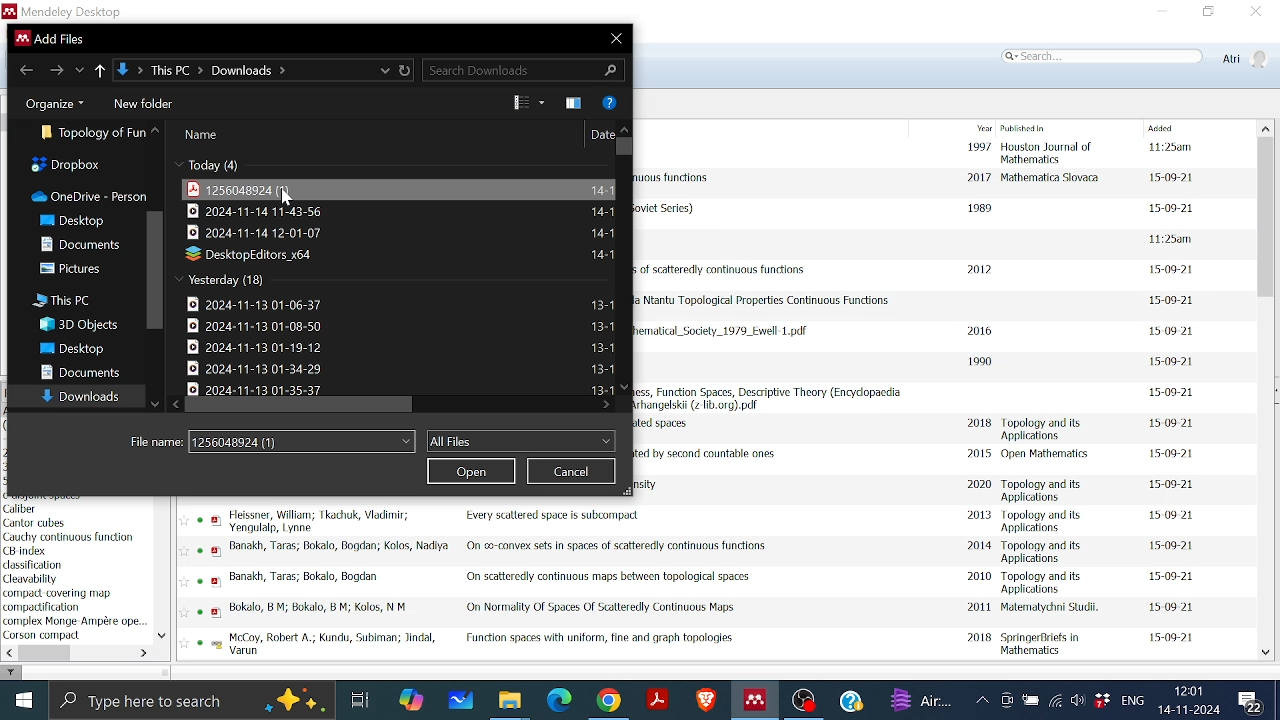  Describe the element at coordinates (64, 300) in the screenshot. I see `This PC` at that location.